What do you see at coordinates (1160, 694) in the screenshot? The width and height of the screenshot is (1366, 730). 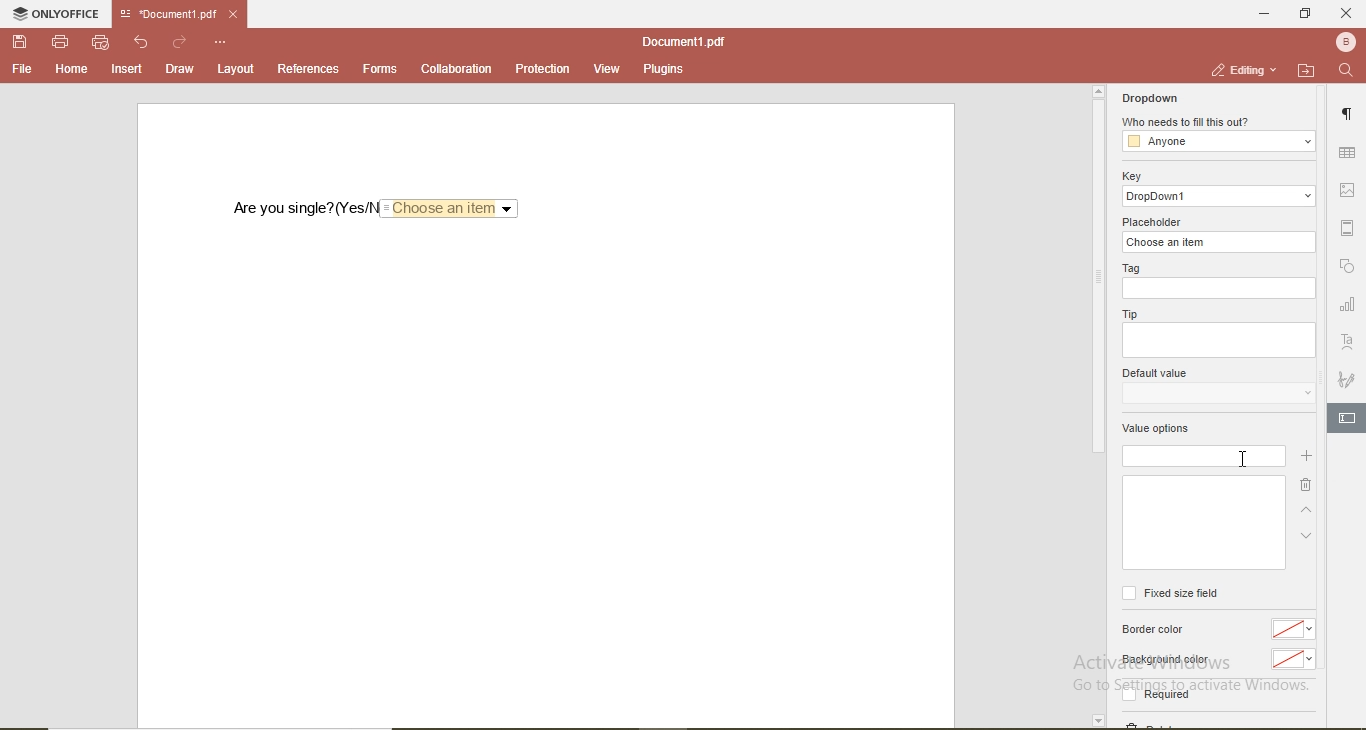 I see `required` at bounding box center [1160, 694].